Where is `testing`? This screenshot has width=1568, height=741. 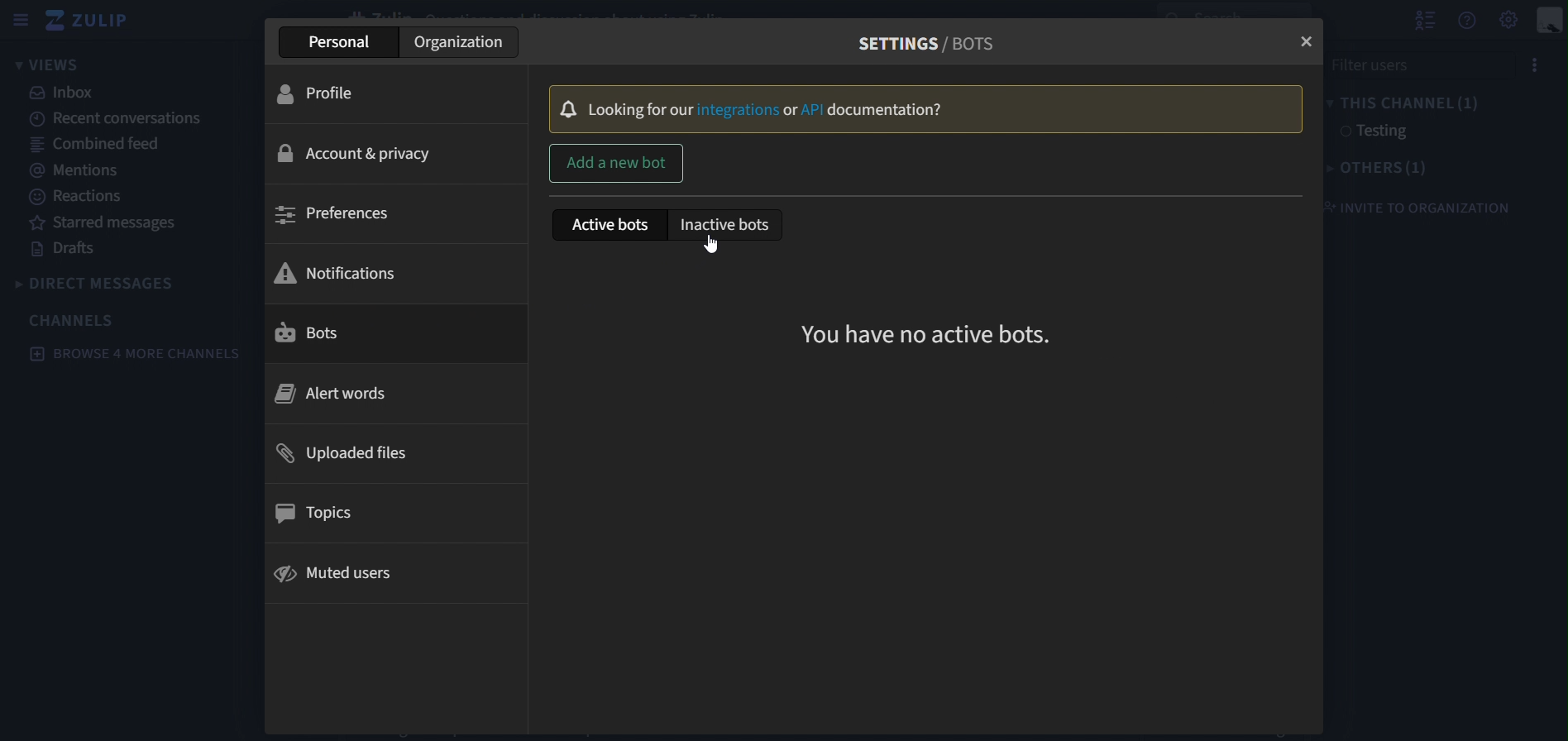
testing is located at coordinates (1370, 132).